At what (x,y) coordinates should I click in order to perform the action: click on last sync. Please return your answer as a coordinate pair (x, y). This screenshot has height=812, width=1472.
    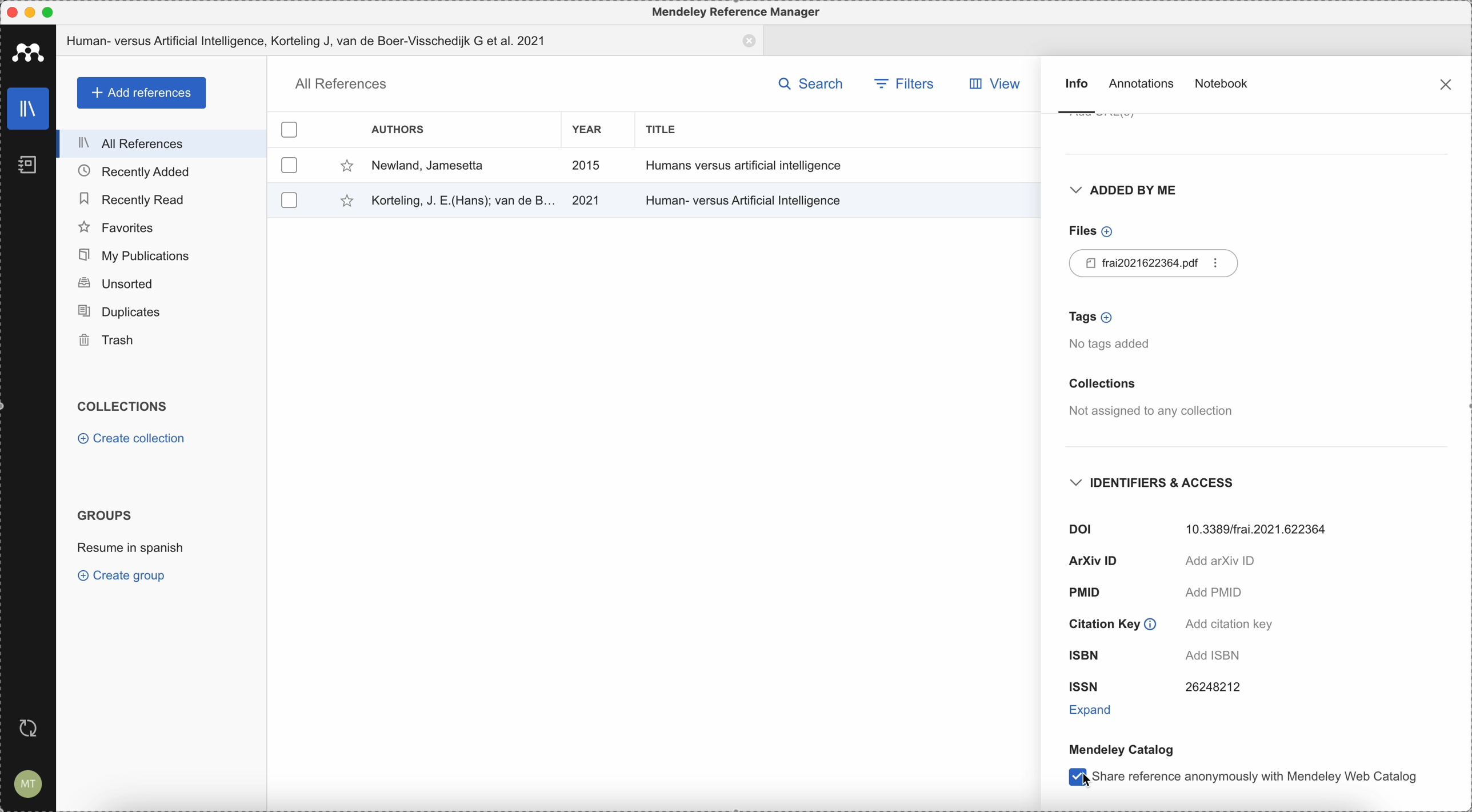
    Looking at the image, I should click on (33, 726).